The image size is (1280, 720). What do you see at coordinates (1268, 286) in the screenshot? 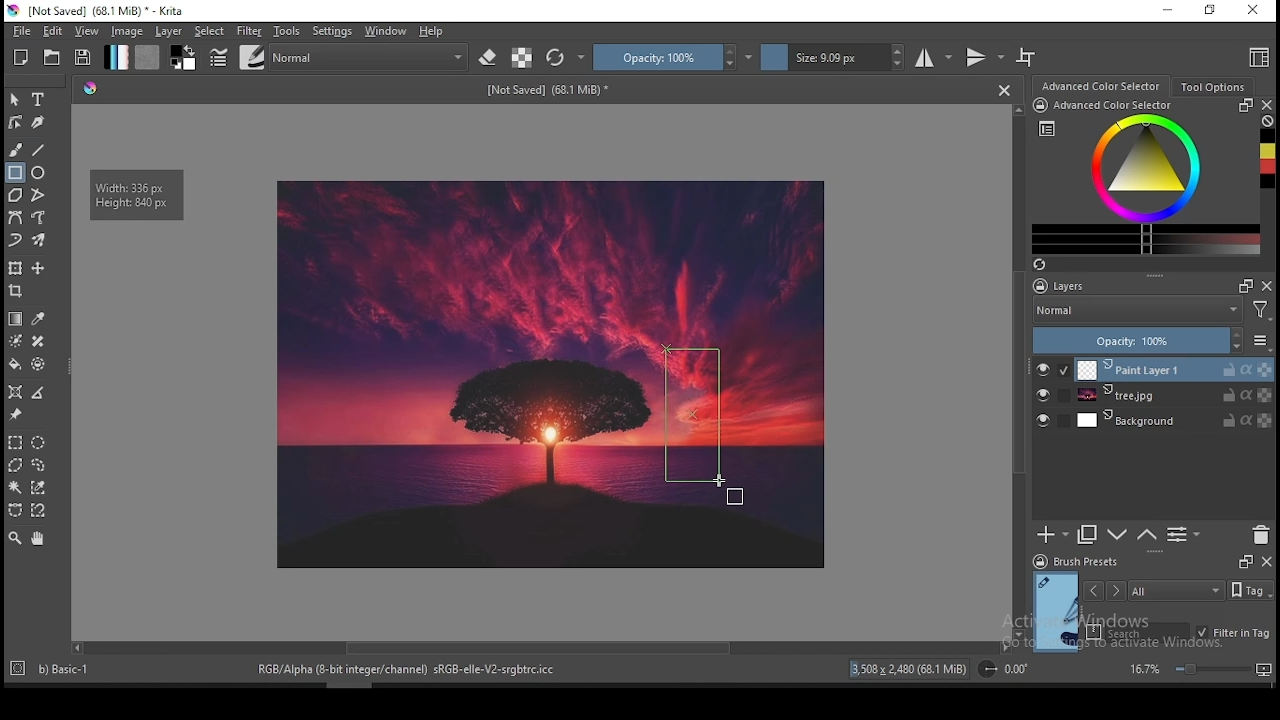
I see `close docker` at bounding box center [1268, 286].